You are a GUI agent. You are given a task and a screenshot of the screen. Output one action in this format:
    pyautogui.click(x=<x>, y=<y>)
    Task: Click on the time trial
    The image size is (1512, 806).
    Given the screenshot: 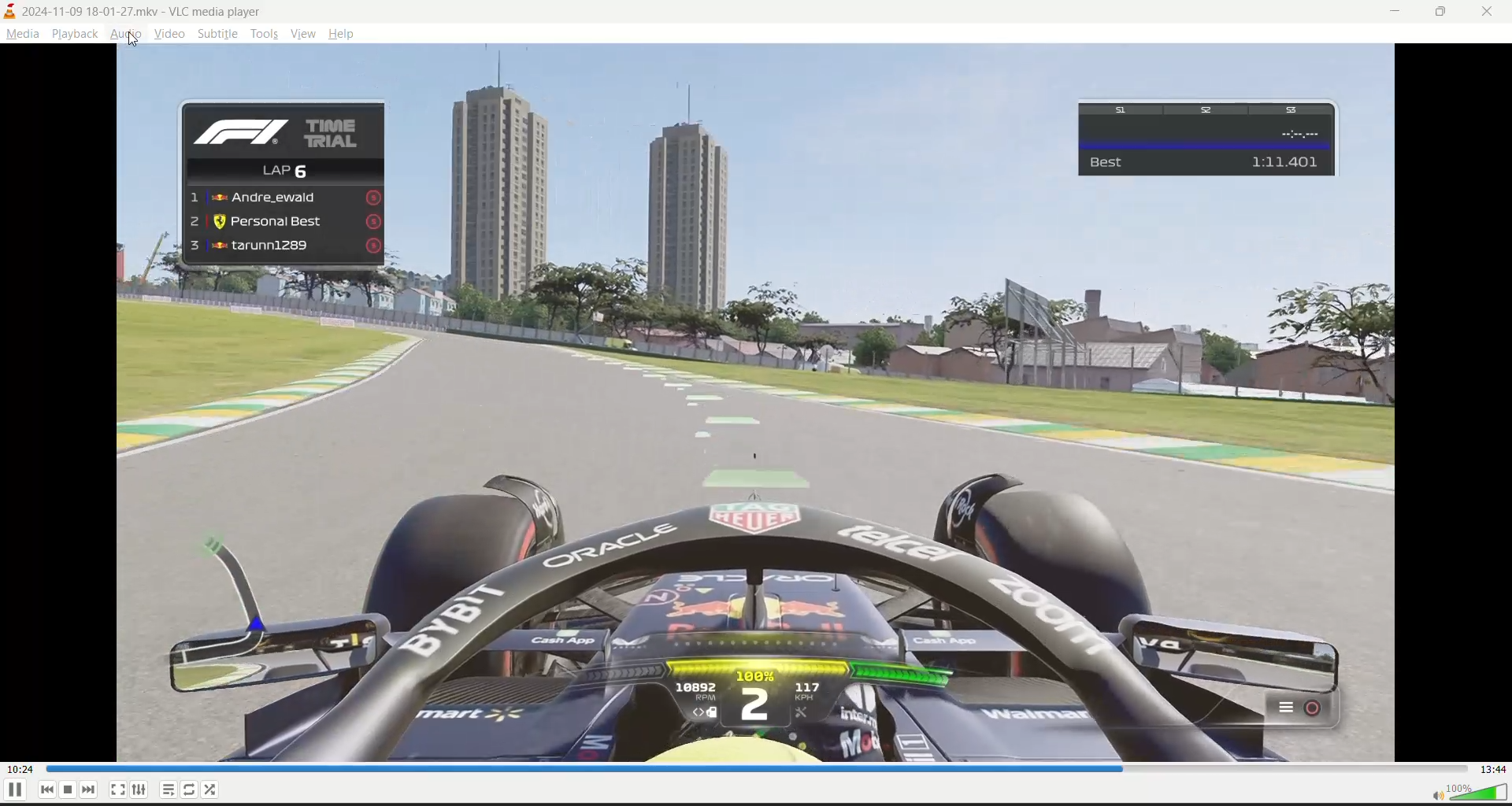 What is the action you would take?
    pyautogui.click(x=280, y=128)
    